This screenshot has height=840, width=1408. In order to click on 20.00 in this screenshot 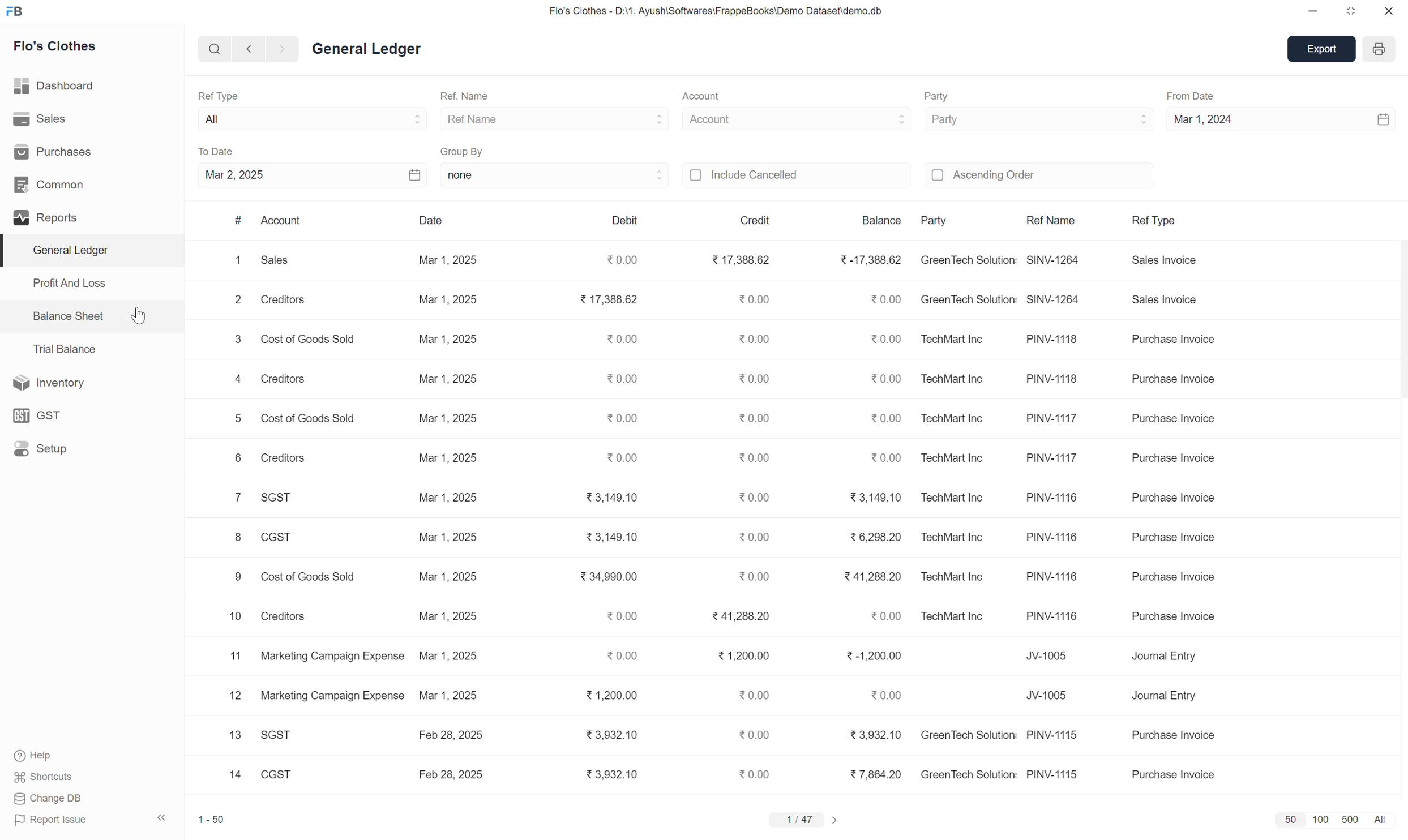, I will do `click(617, 378)`.